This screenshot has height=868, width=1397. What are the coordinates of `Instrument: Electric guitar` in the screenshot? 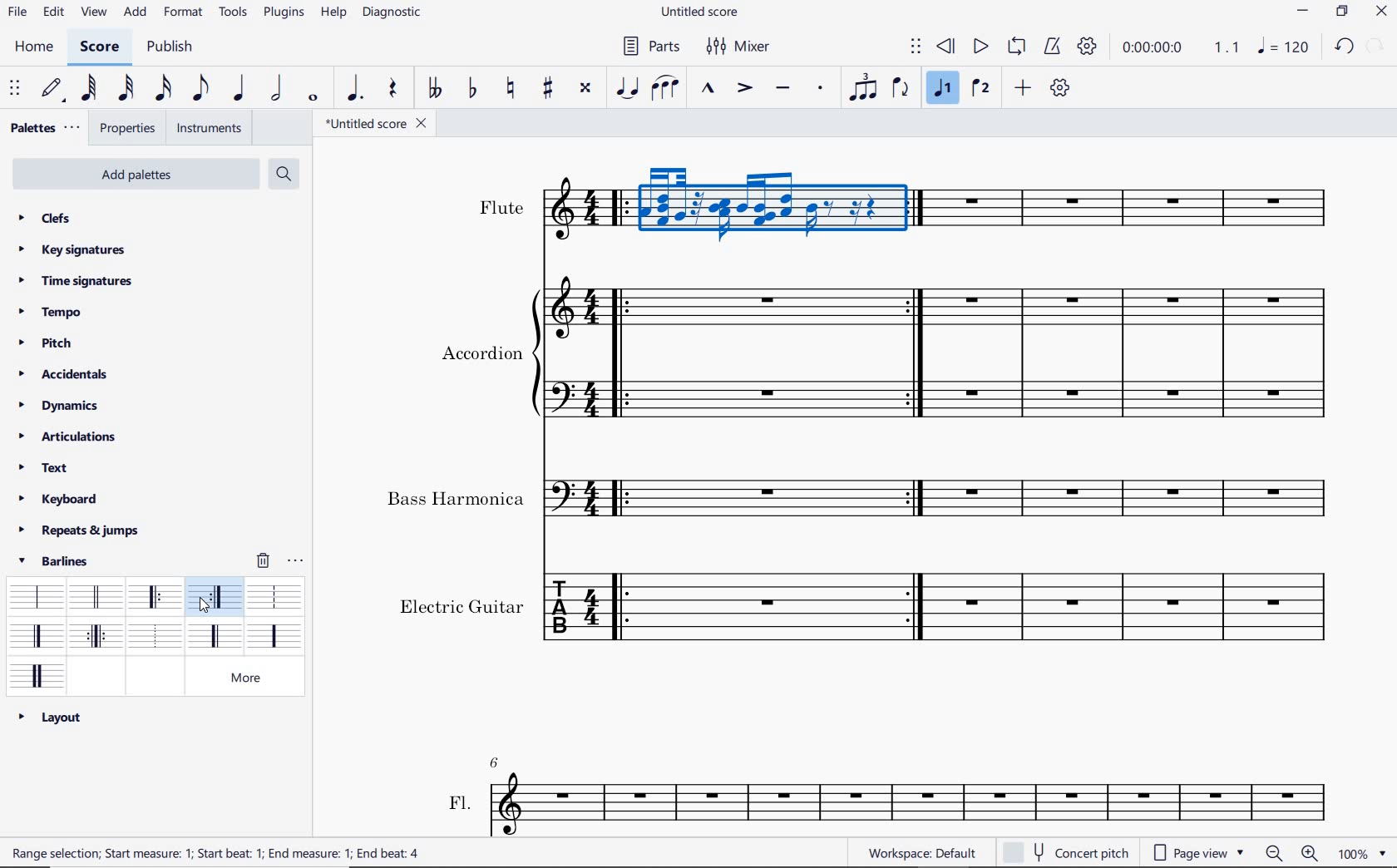 It's located at (768, 201).